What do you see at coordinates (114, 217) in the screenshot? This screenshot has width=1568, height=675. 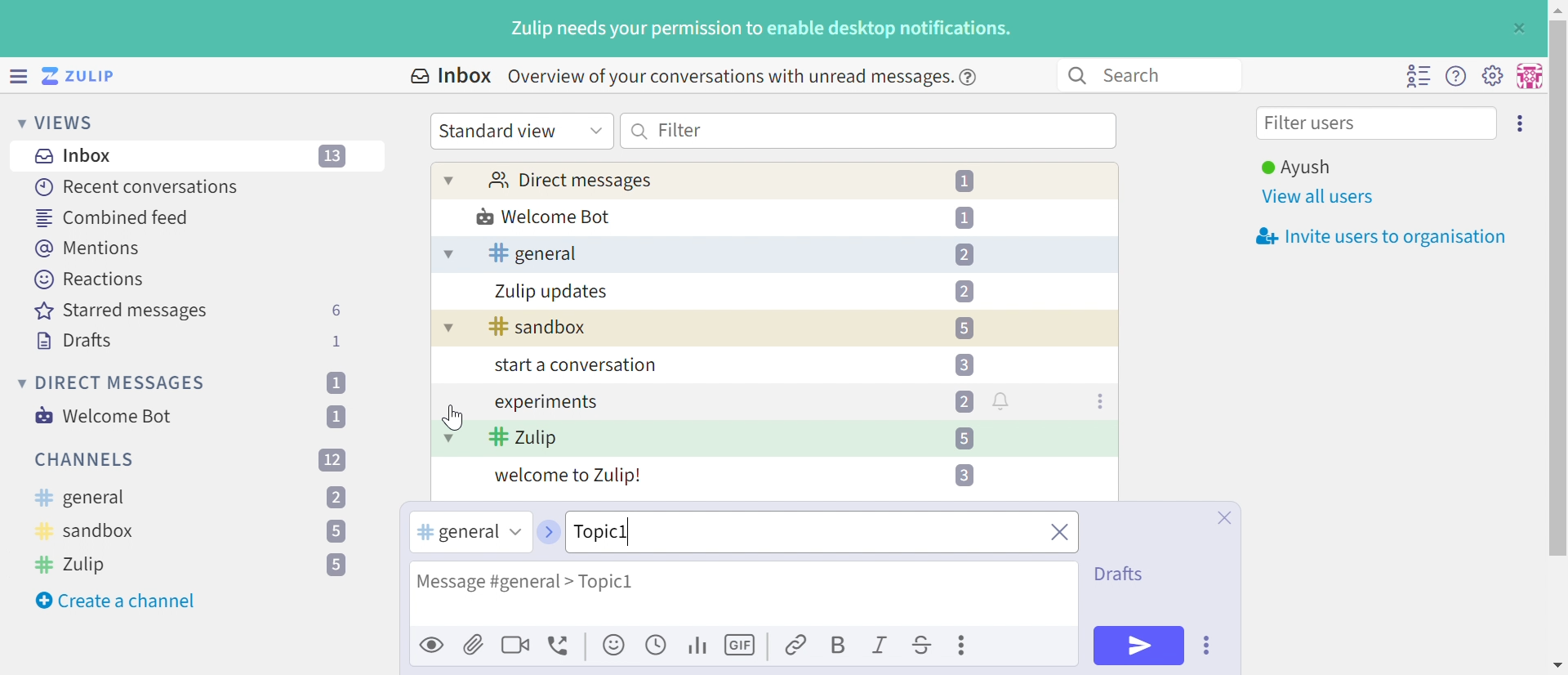 I see `Combined feed` at bounding box center [114, 217].